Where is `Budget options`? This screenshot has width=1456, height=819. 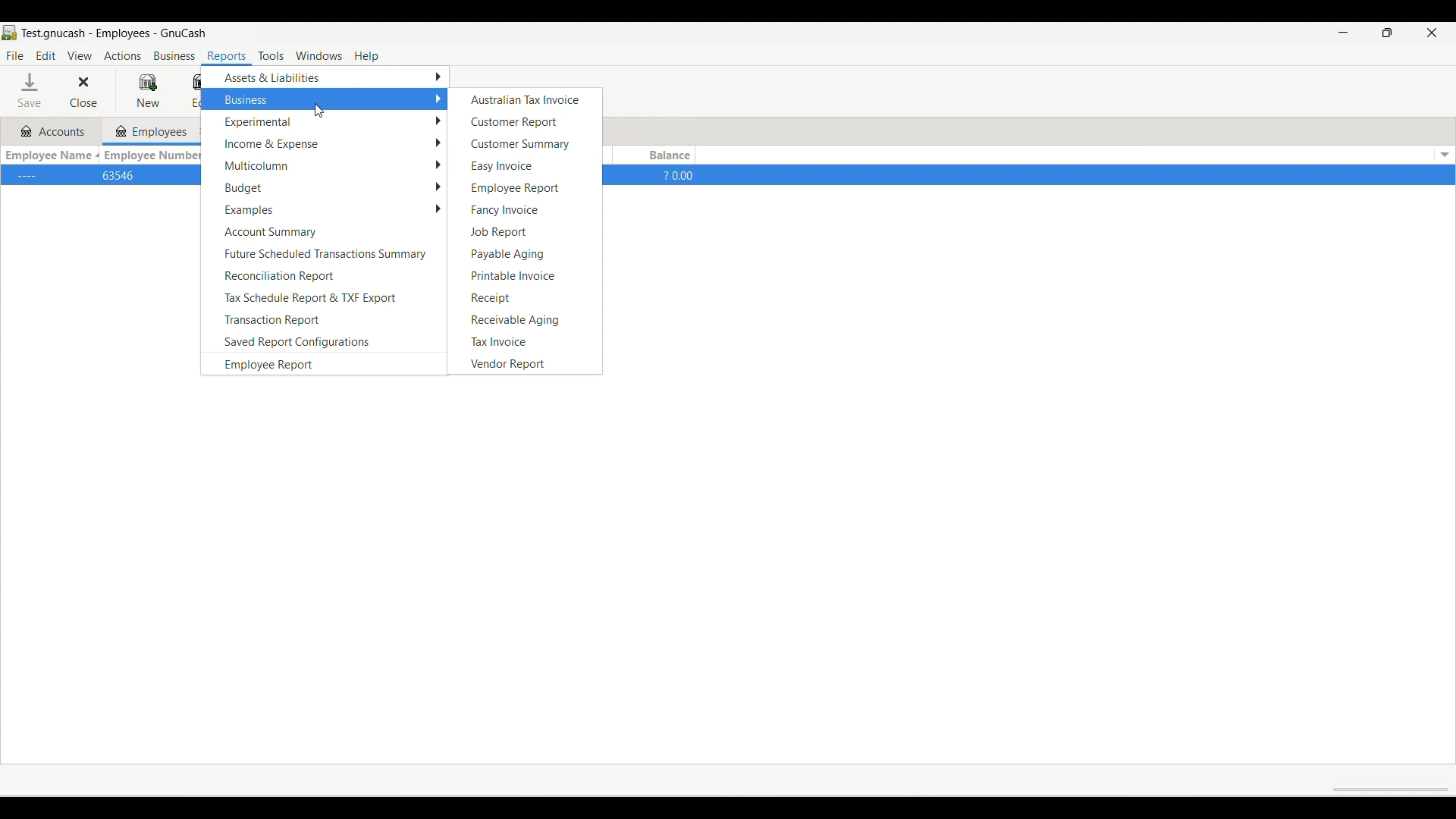 Budget options is located at coordinates (325, 187).